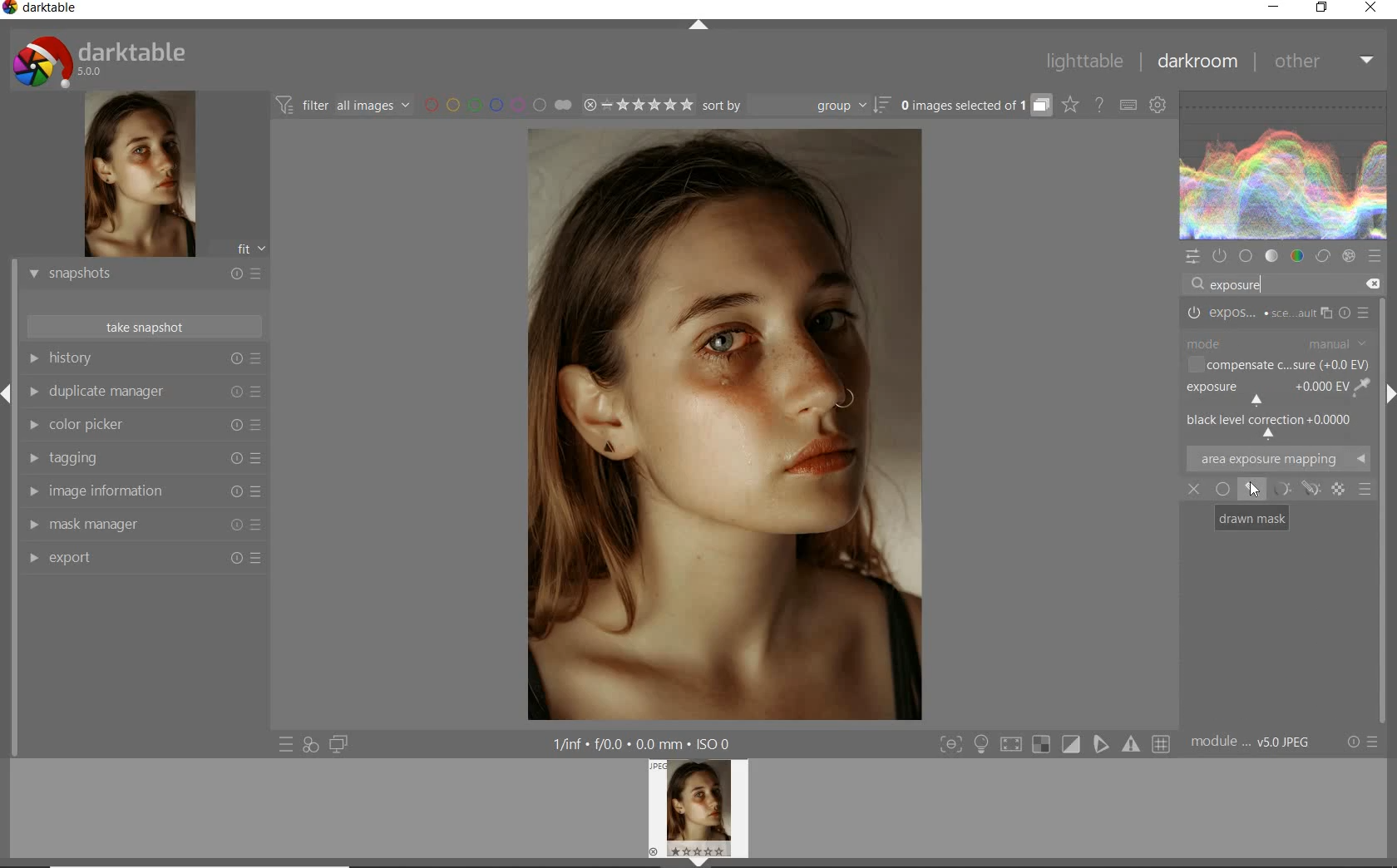  What do you see at coordinates (144, 491) in the screenshot?
I see `image information` at bounding box center [144, 491].